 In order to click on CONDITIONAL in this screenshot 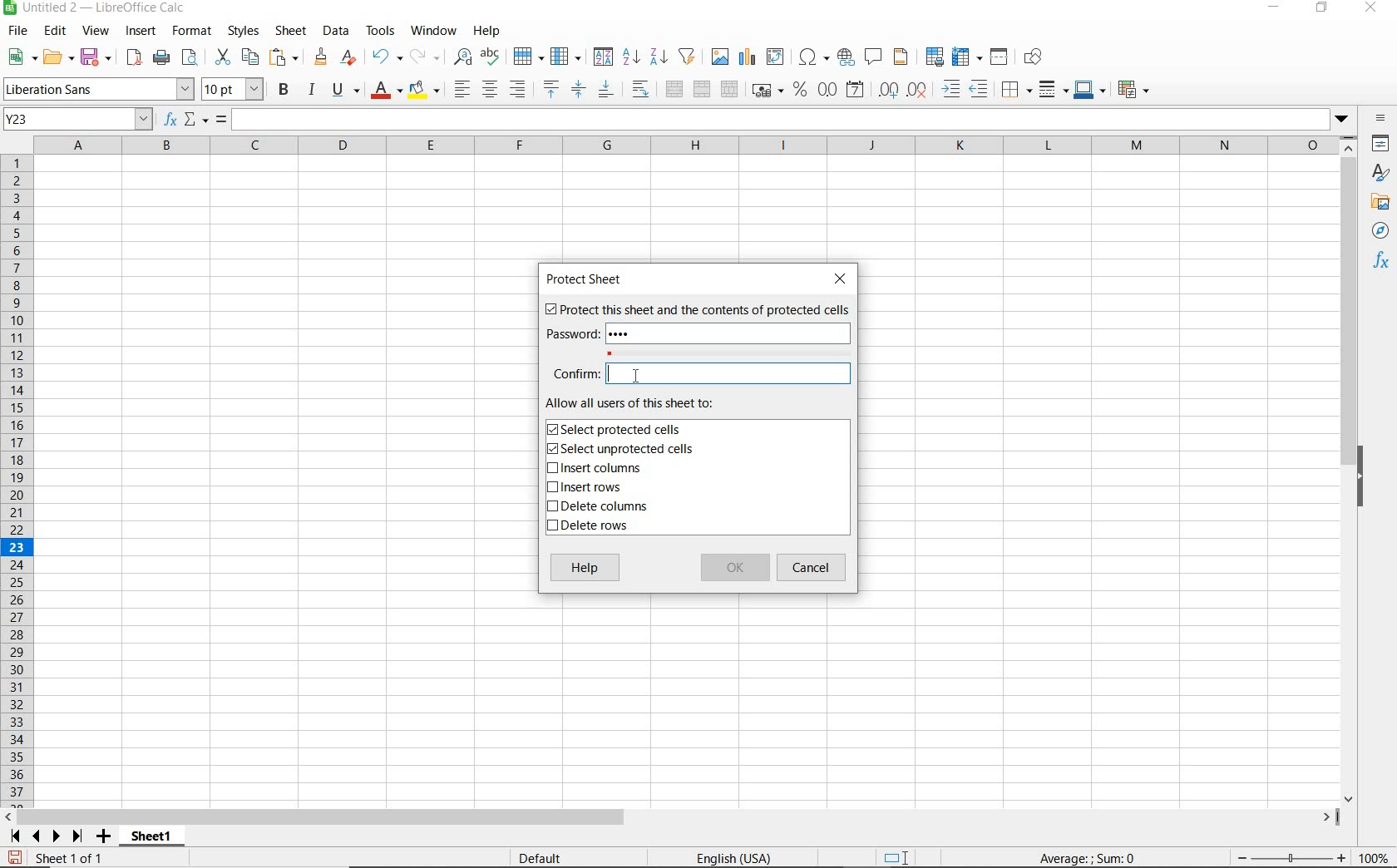, I will do `click(1133, 89)`.